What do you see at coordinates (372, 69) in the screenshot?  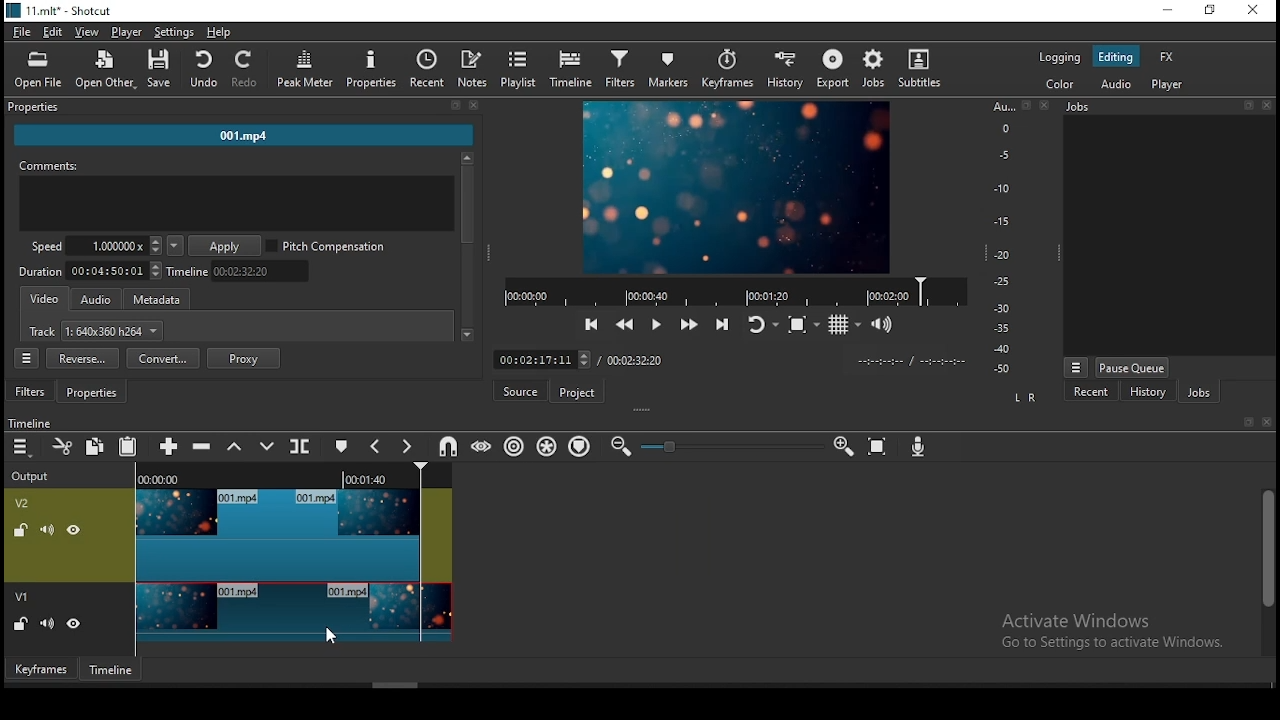 I see `properties` at bounding box center [372, 69].